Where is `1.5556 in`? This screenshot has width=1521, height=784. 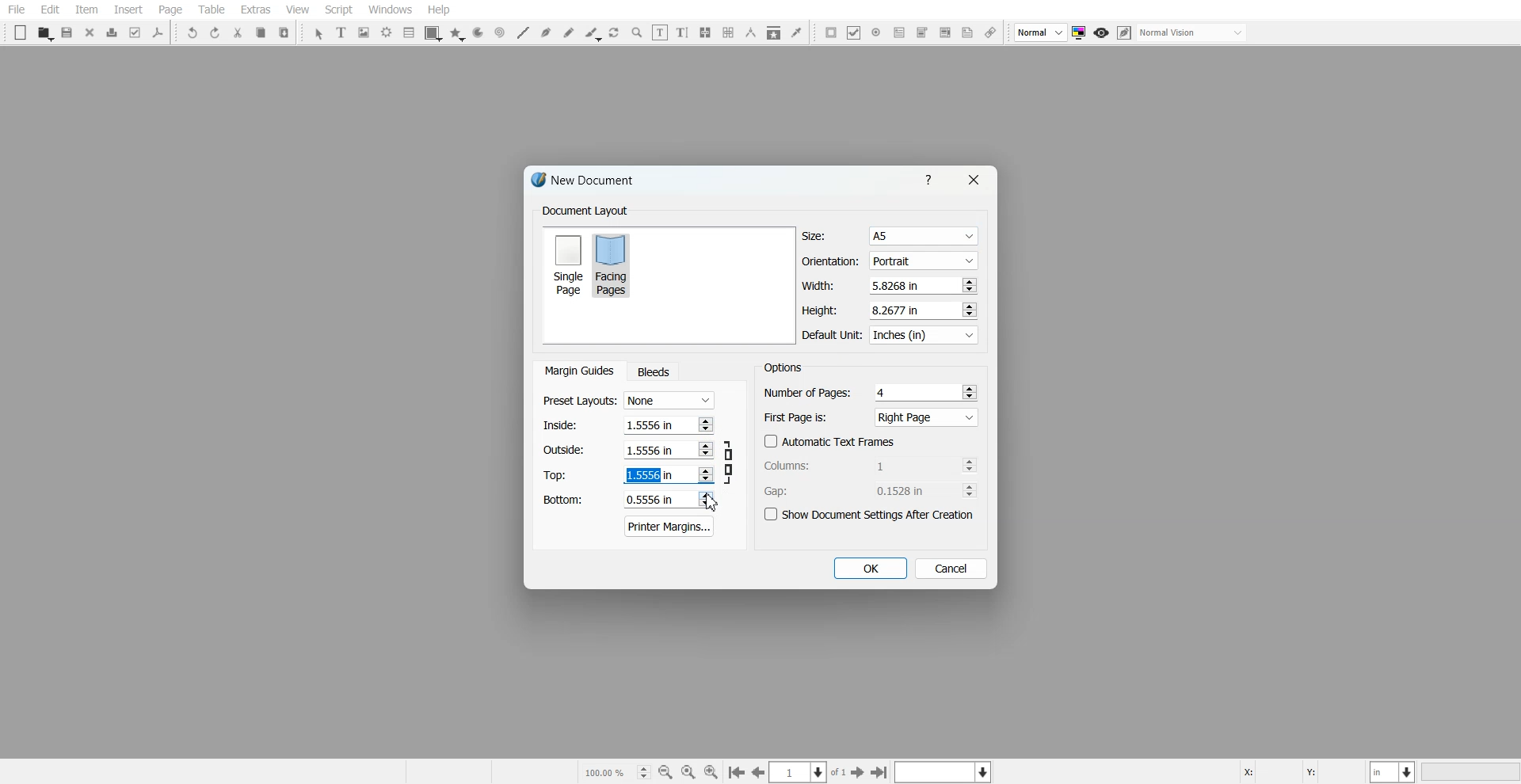 1.5556 in is located at coordinates (650, 475).